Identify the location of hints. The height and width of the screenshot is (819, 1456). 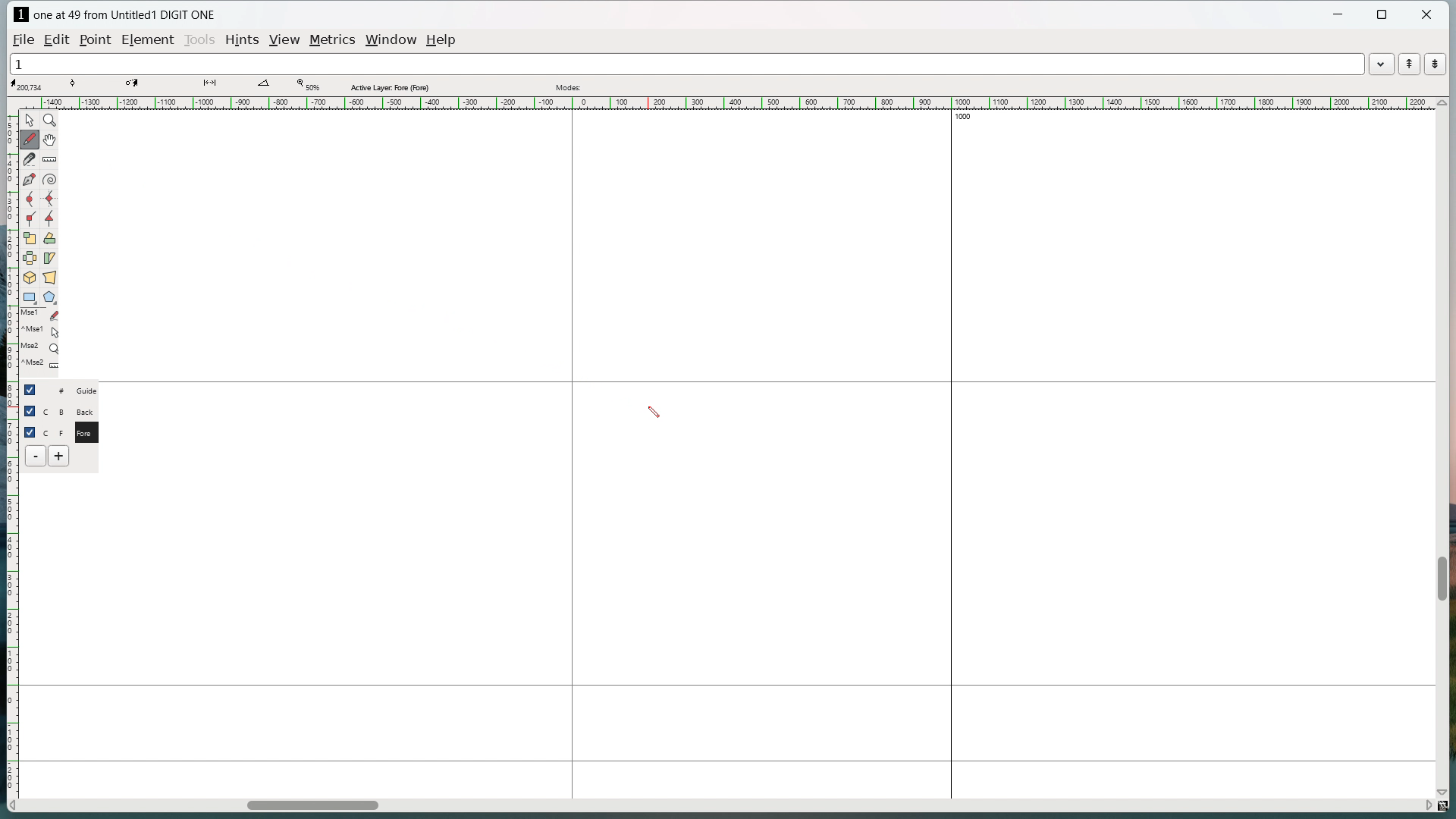
(243, 41).